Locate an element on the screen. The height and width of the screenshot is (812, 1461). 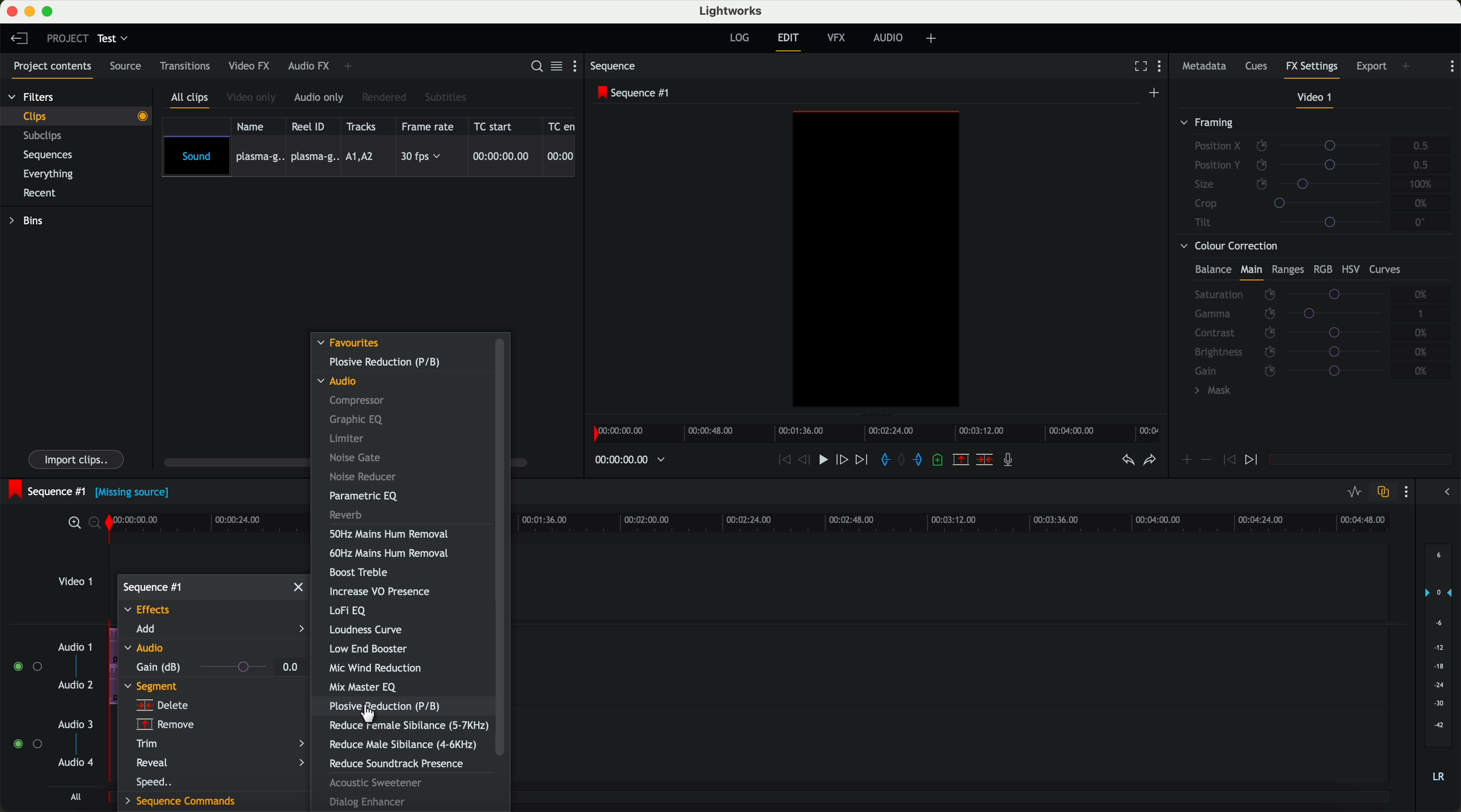
close window is located at coordinates (299, 586).